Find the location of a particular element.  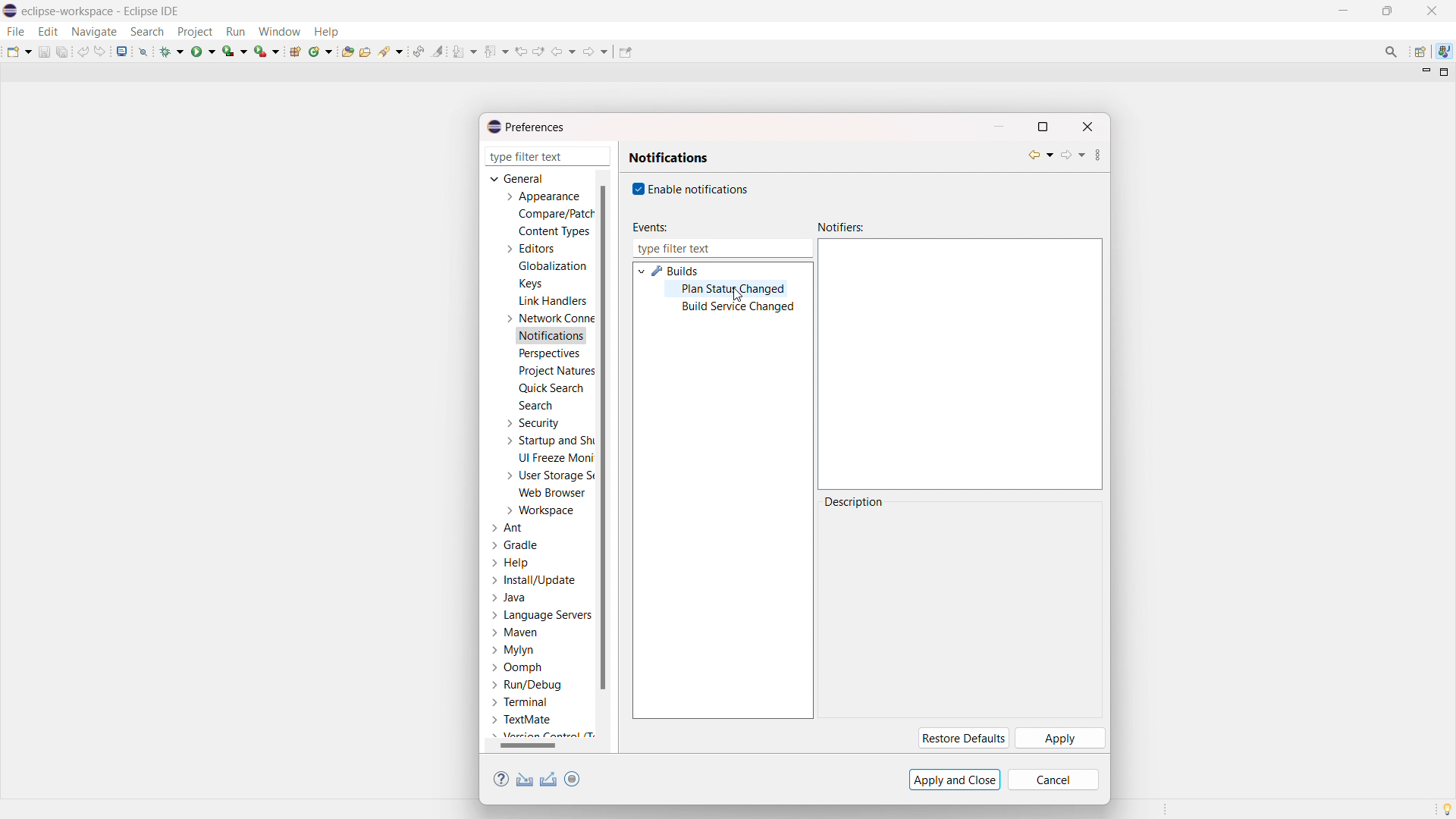

export is located at coordinates (549, 780).